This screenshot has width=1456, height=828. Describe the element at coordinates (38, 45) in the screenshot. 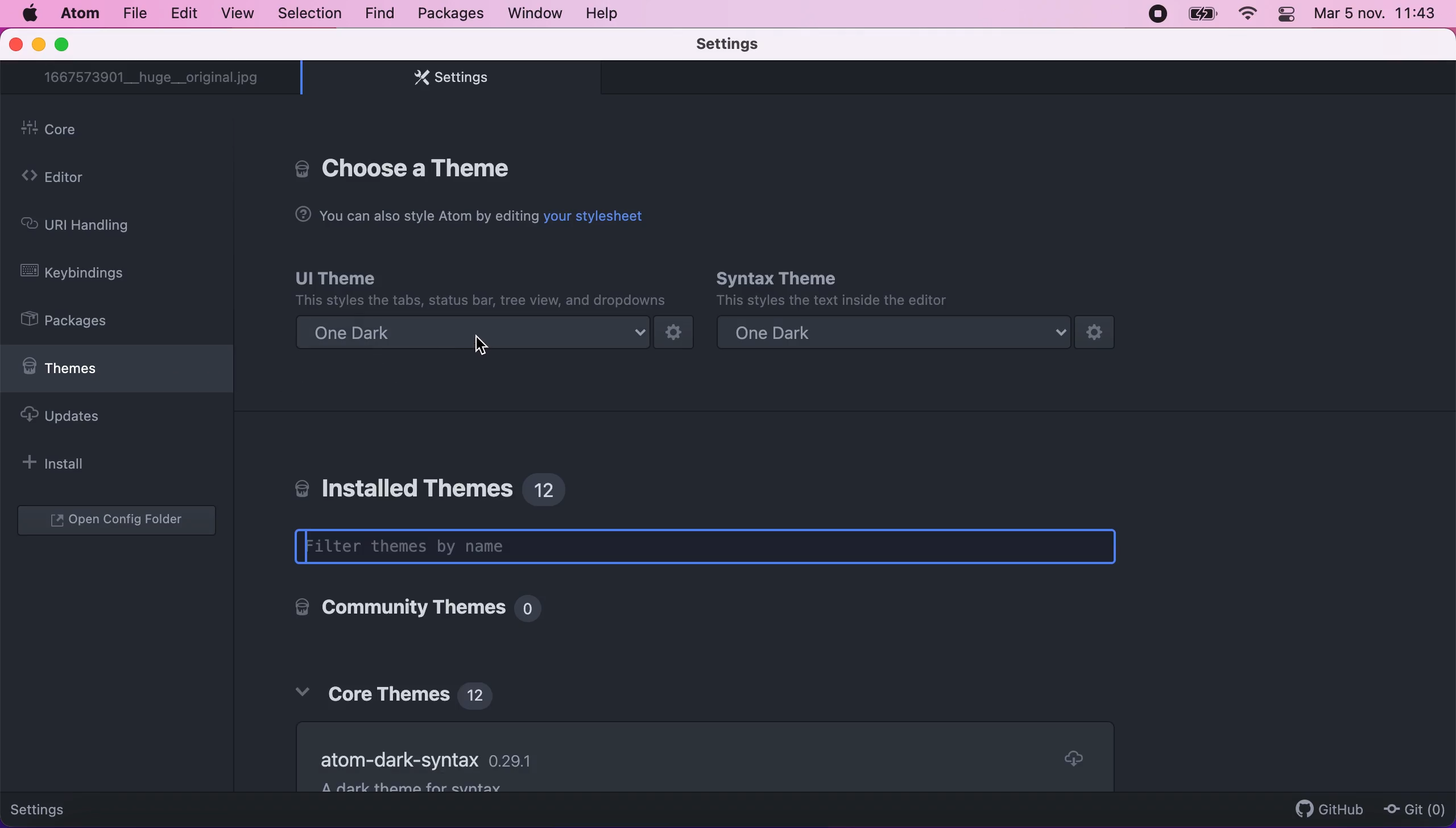

I see `minimize` at that location.